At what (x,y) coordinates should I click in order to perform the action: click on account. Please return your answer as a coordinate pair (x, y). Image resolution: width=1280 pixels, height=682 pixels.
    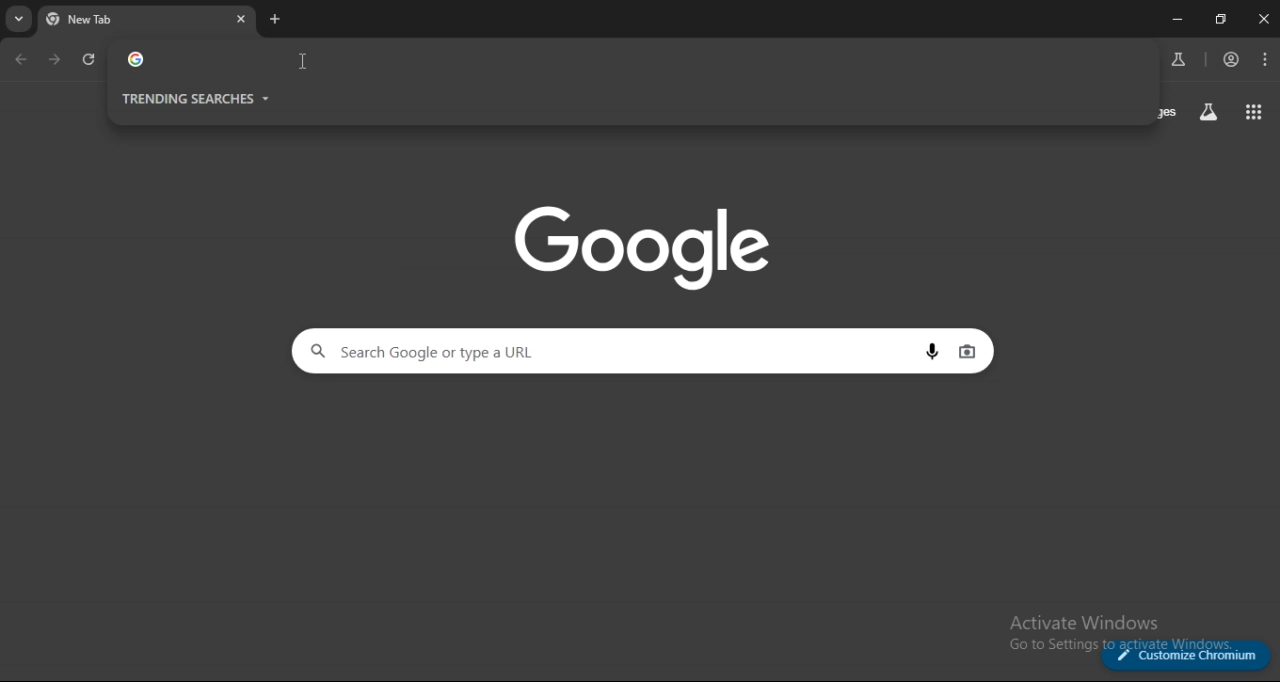
    Looking at the image, I should click on (1233, 59).